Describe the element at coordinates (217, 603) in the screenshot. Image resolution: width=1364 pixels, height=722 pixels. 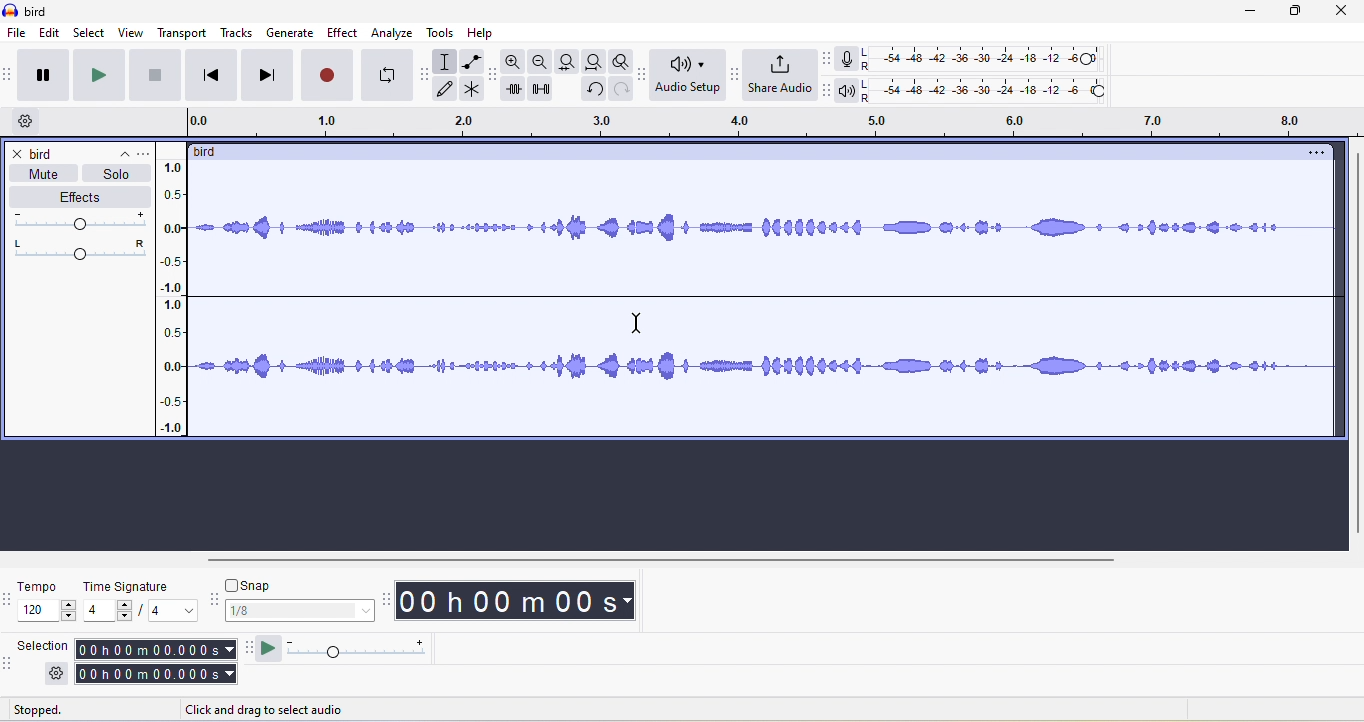
I see `audacity snapping toolbar` at that location.